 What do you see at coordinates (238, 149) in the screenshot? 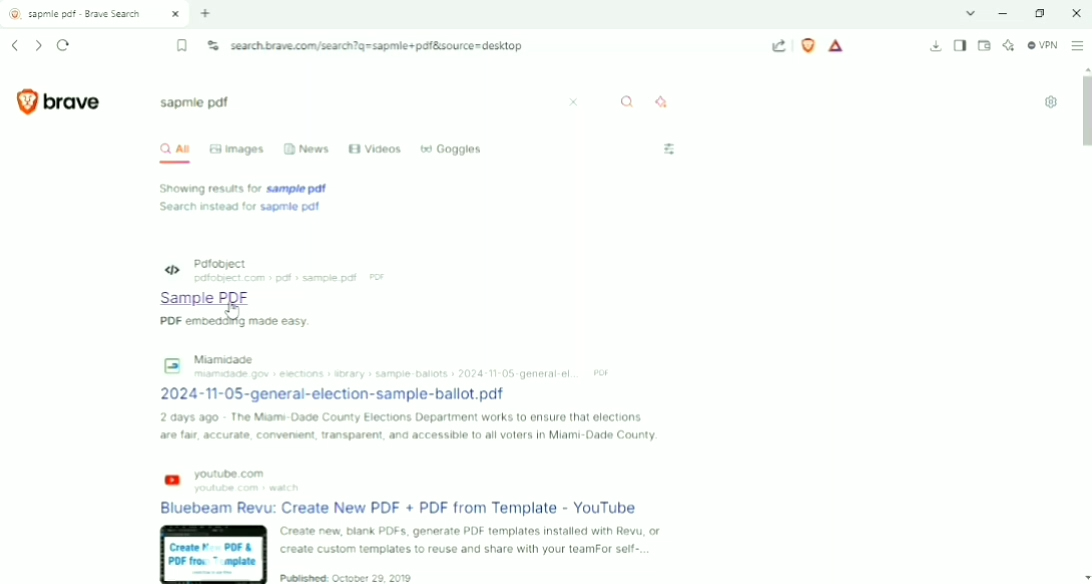
I see `Images` at bounding box center [238, 149].